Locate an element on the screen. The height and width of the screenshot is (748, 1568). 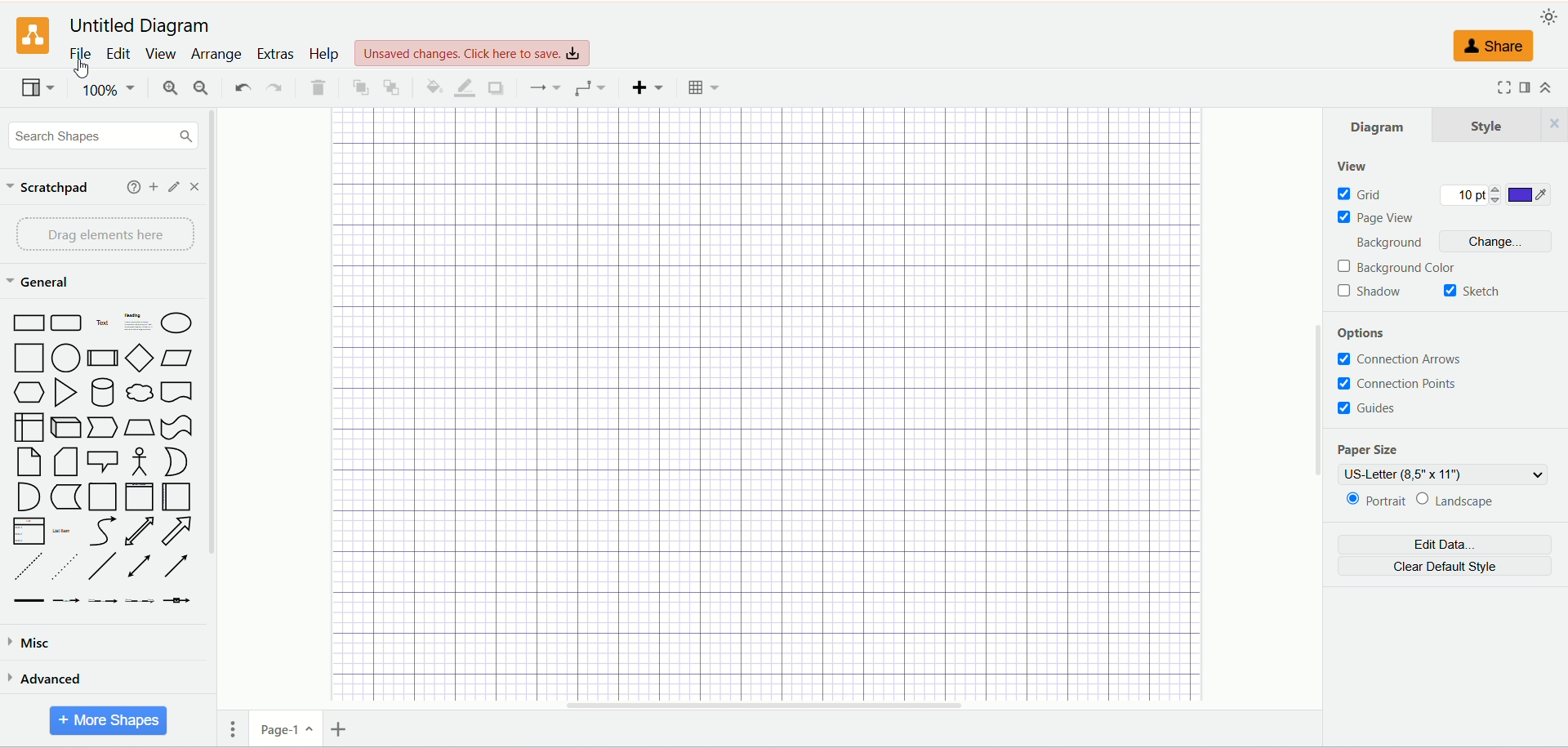
Curved Corner Rectangle is located at coordinates (67, 325).